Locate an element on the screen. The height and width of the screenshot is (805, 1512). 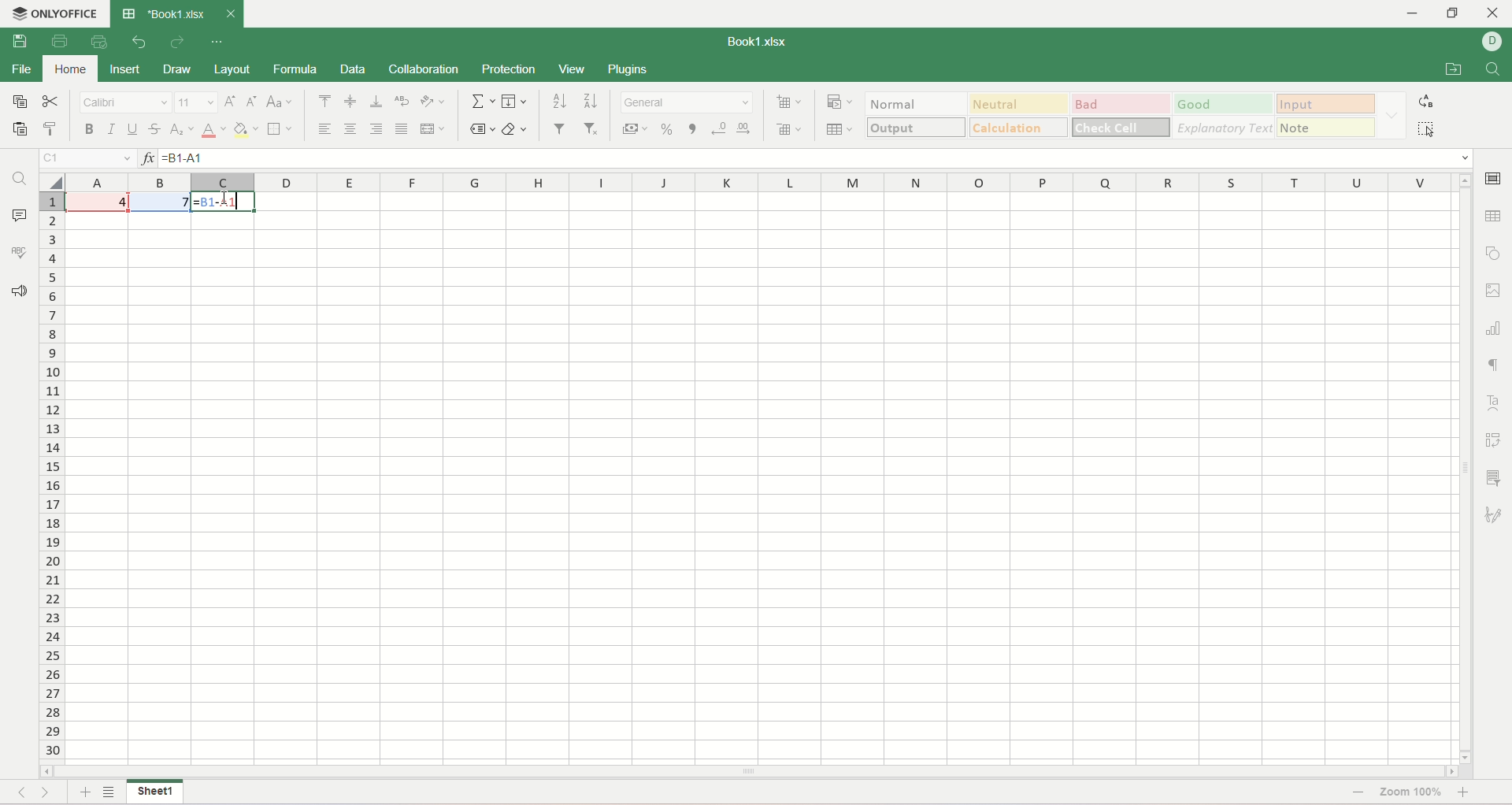
paste is located at coordinates (21, 131).